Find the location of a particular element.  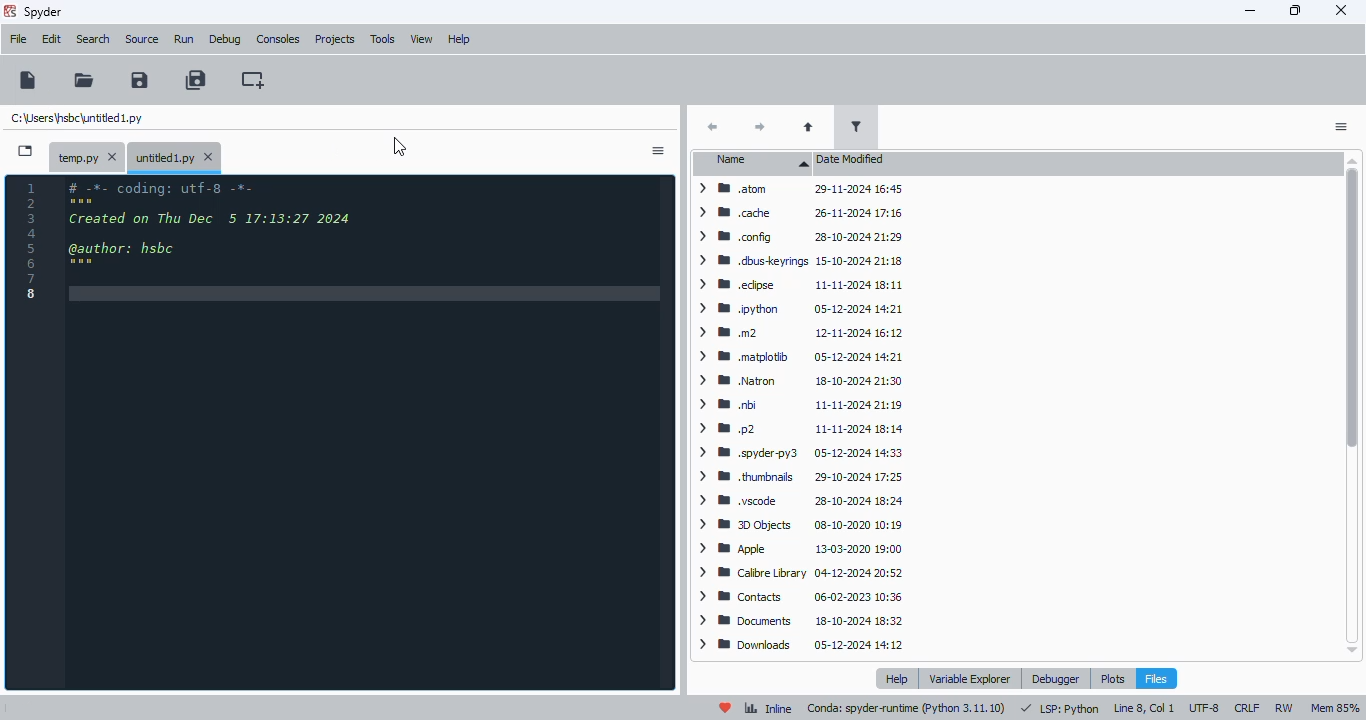

> BW .dbuskeyrings 15-10-2024 21:18 is located at coordinates (798, 261).